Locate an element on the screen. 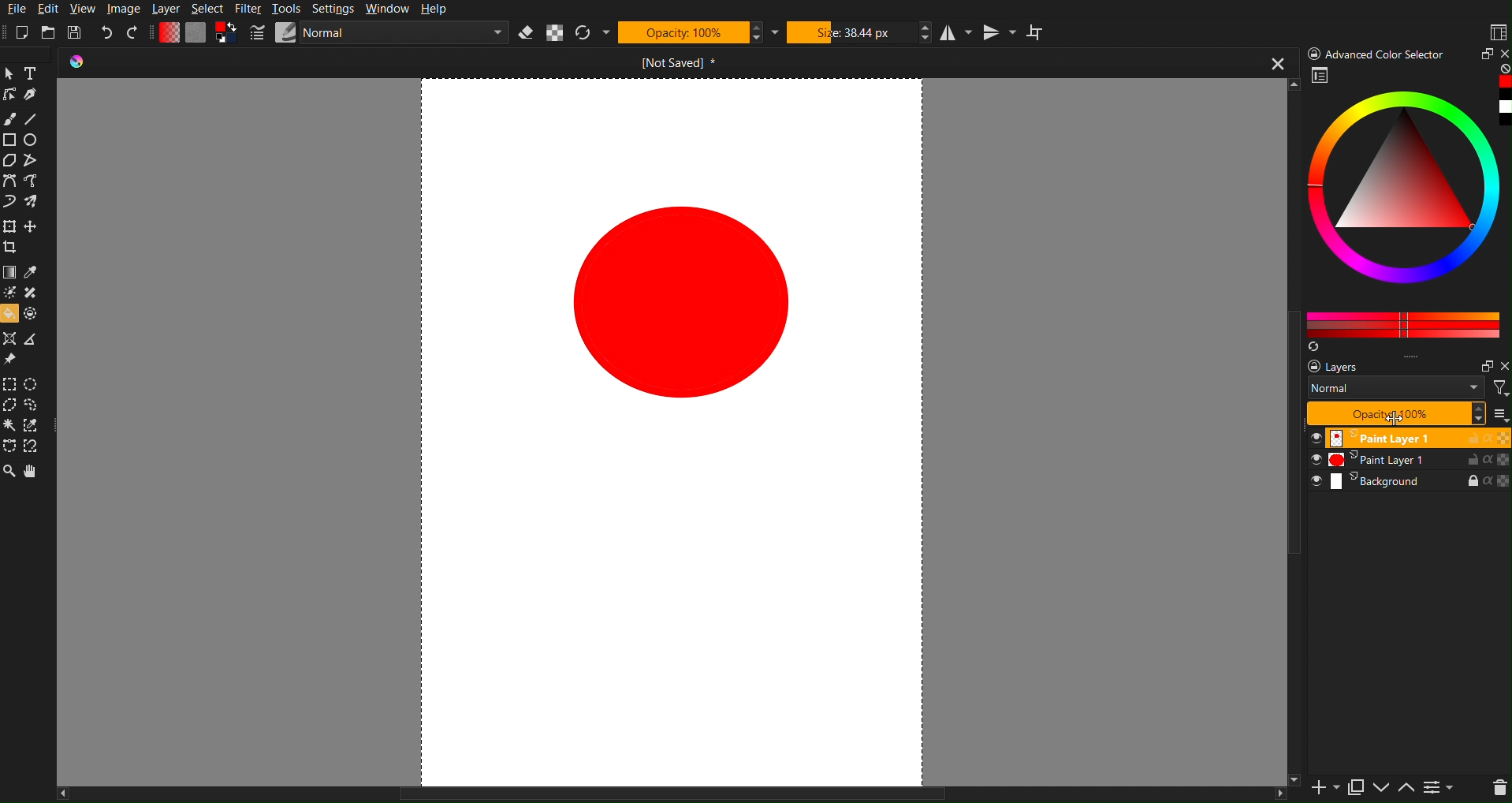 The image size is (1512, 803). Close  is located at coordinates (1503, 54).